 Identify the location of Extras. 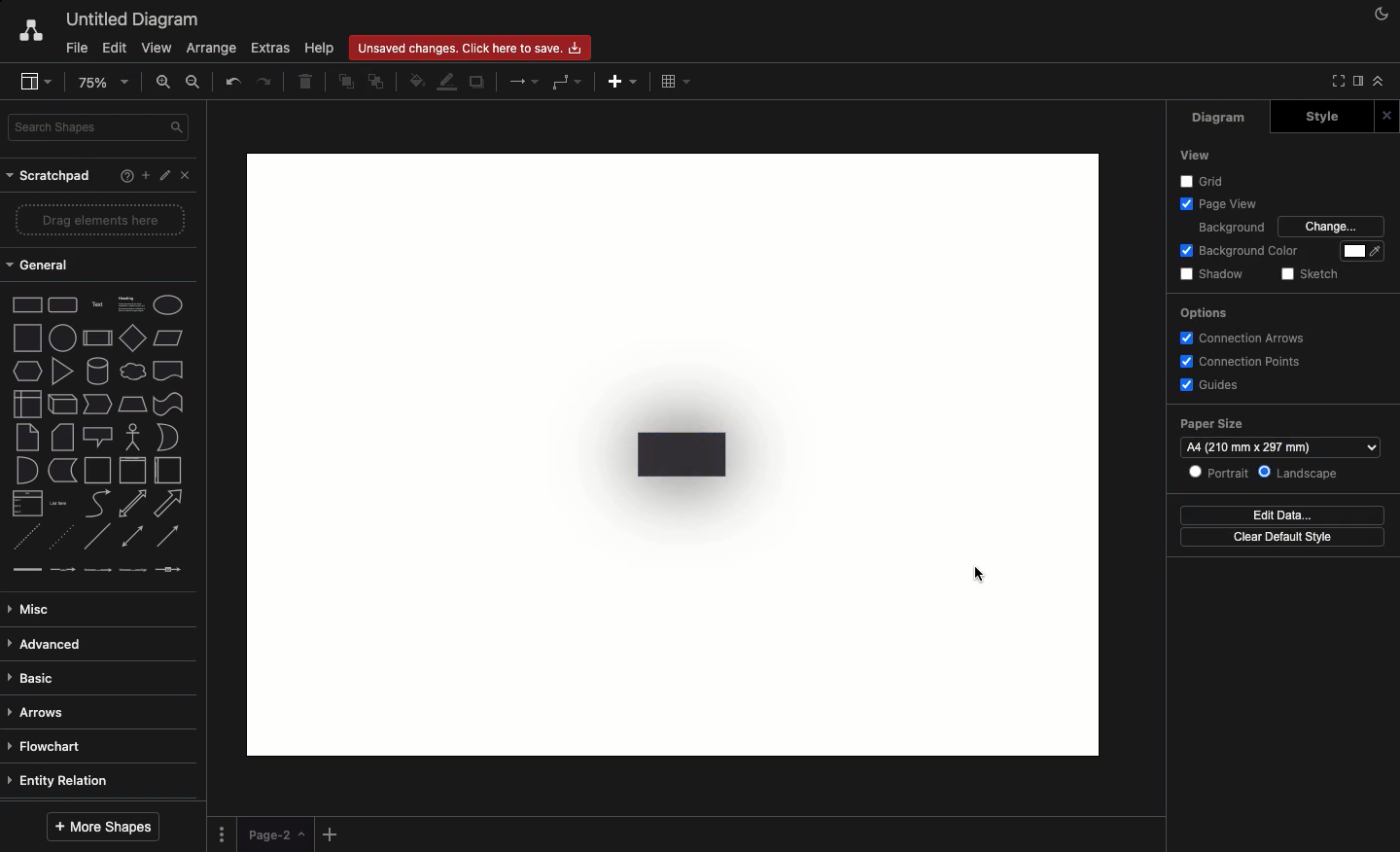
(268, 48).